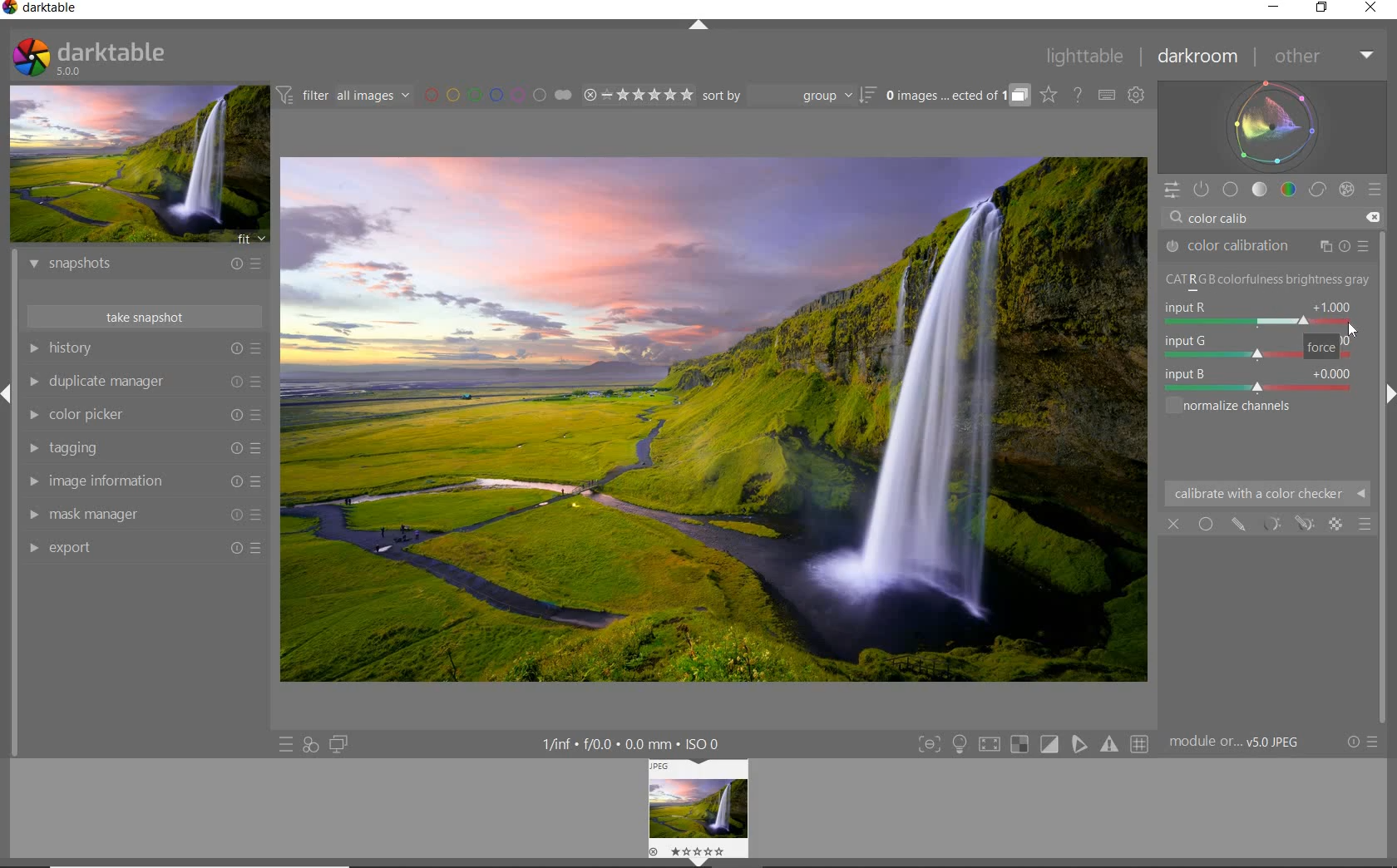  Describe the element at coordinates (1174, 523) in the screenshot. I see `OFF` at that location.